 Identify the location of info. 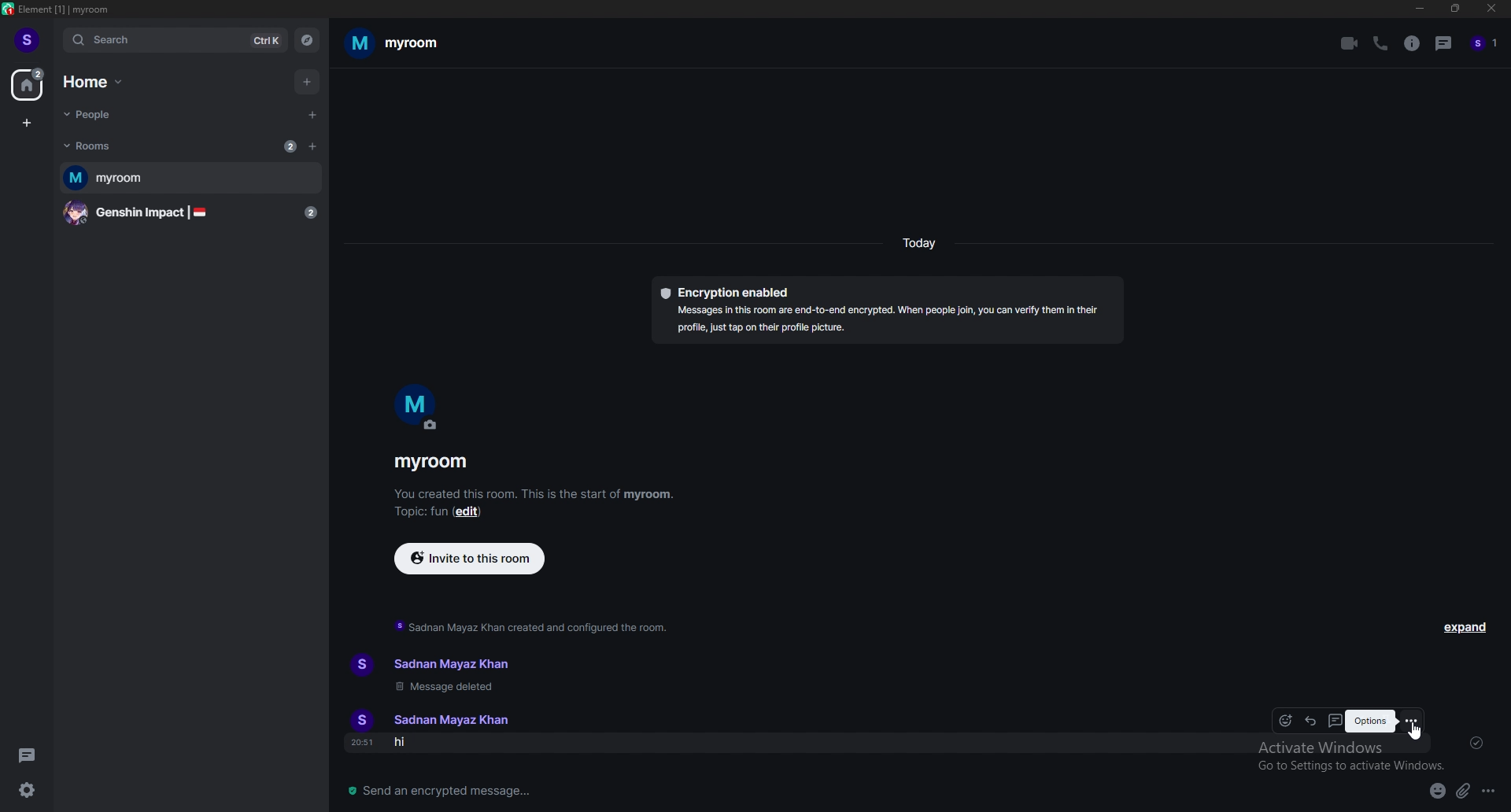
(1413, 44).